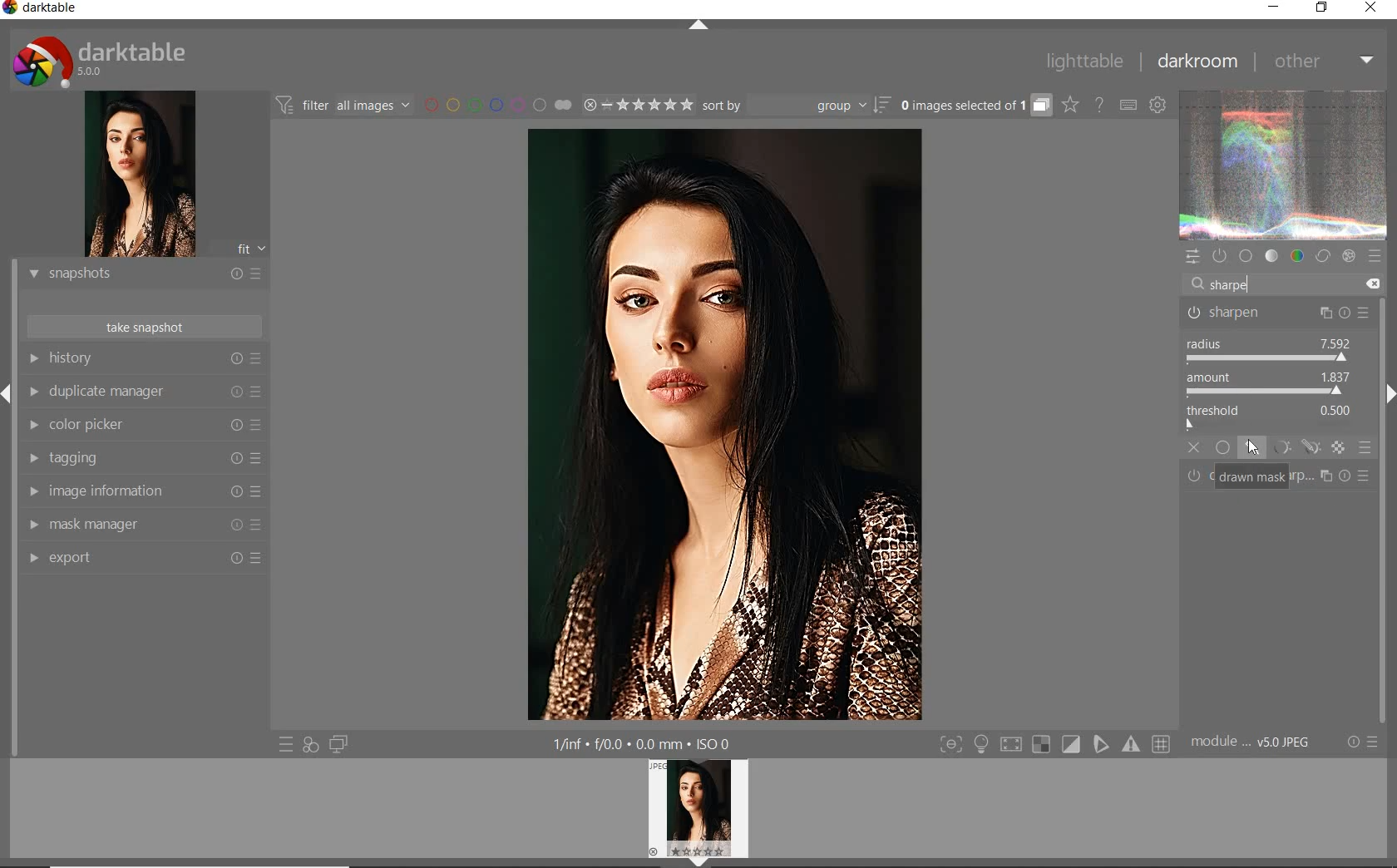  Describe the element at coordinates (309, 746) in the screenshot. I see `quick access for applying any of your styles` at that location.